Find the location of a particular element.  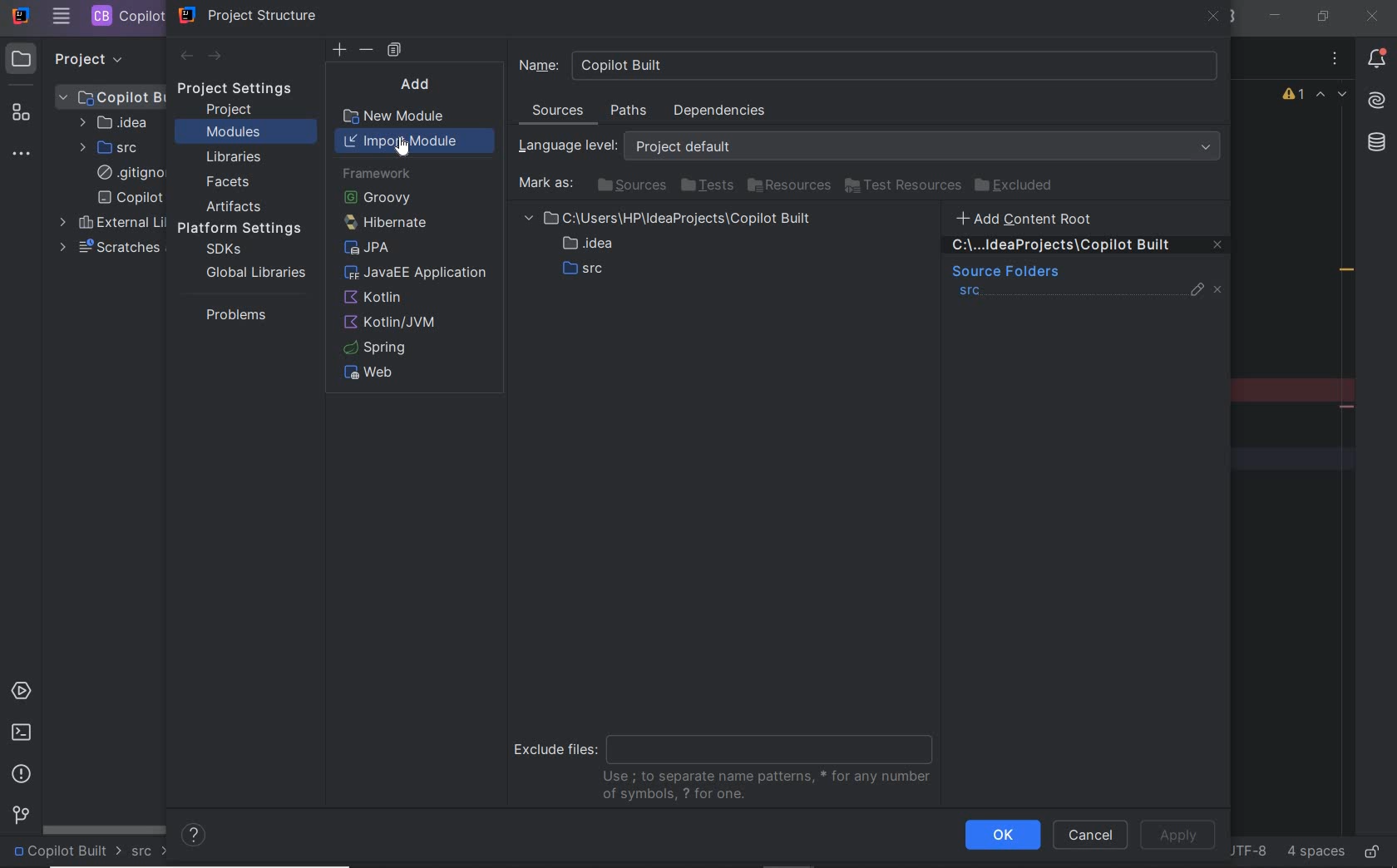

copy is located at coordinates (394, 51).